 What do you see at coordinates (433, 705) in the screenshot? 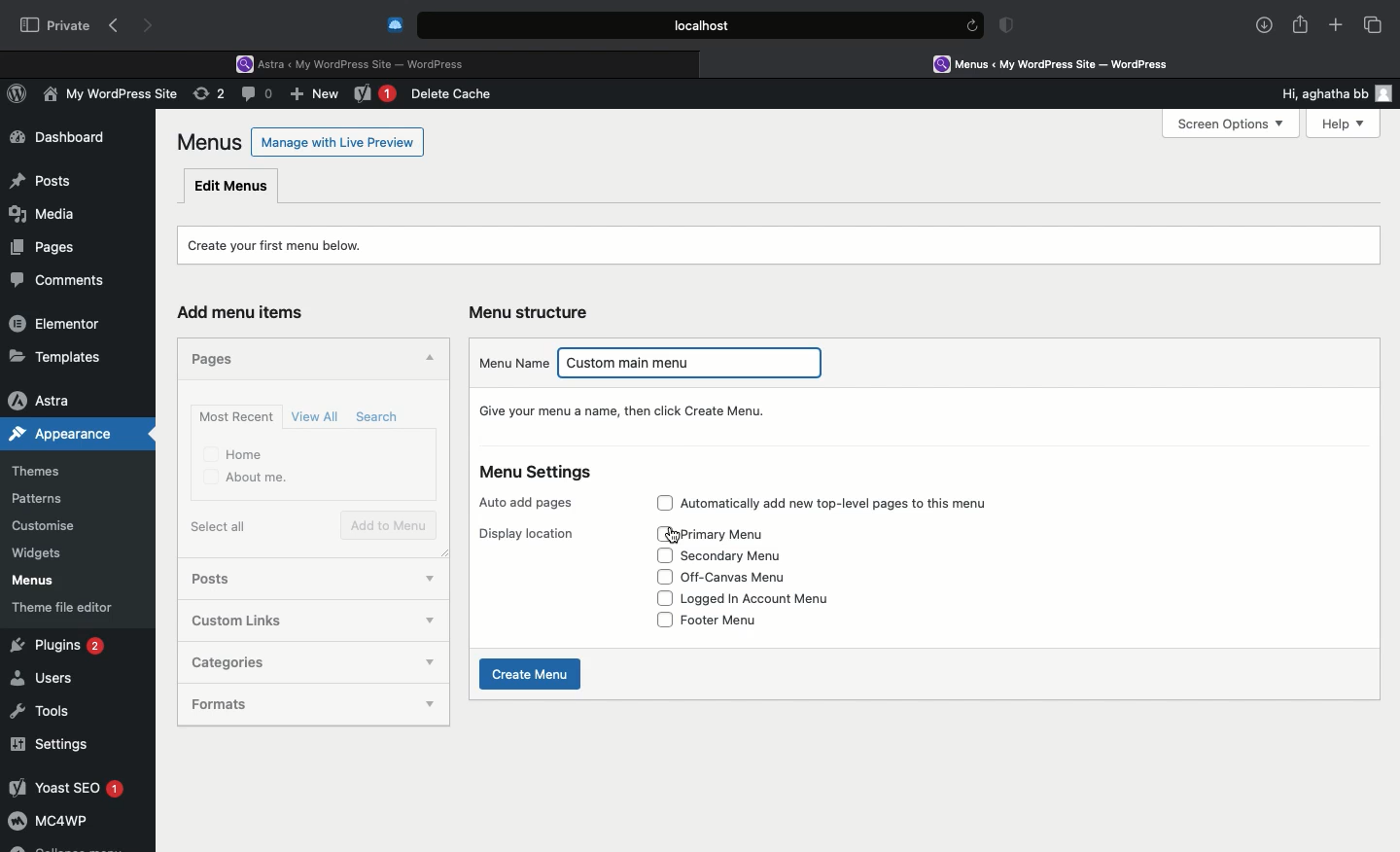
I see `show` at bounding box center [433, 705].